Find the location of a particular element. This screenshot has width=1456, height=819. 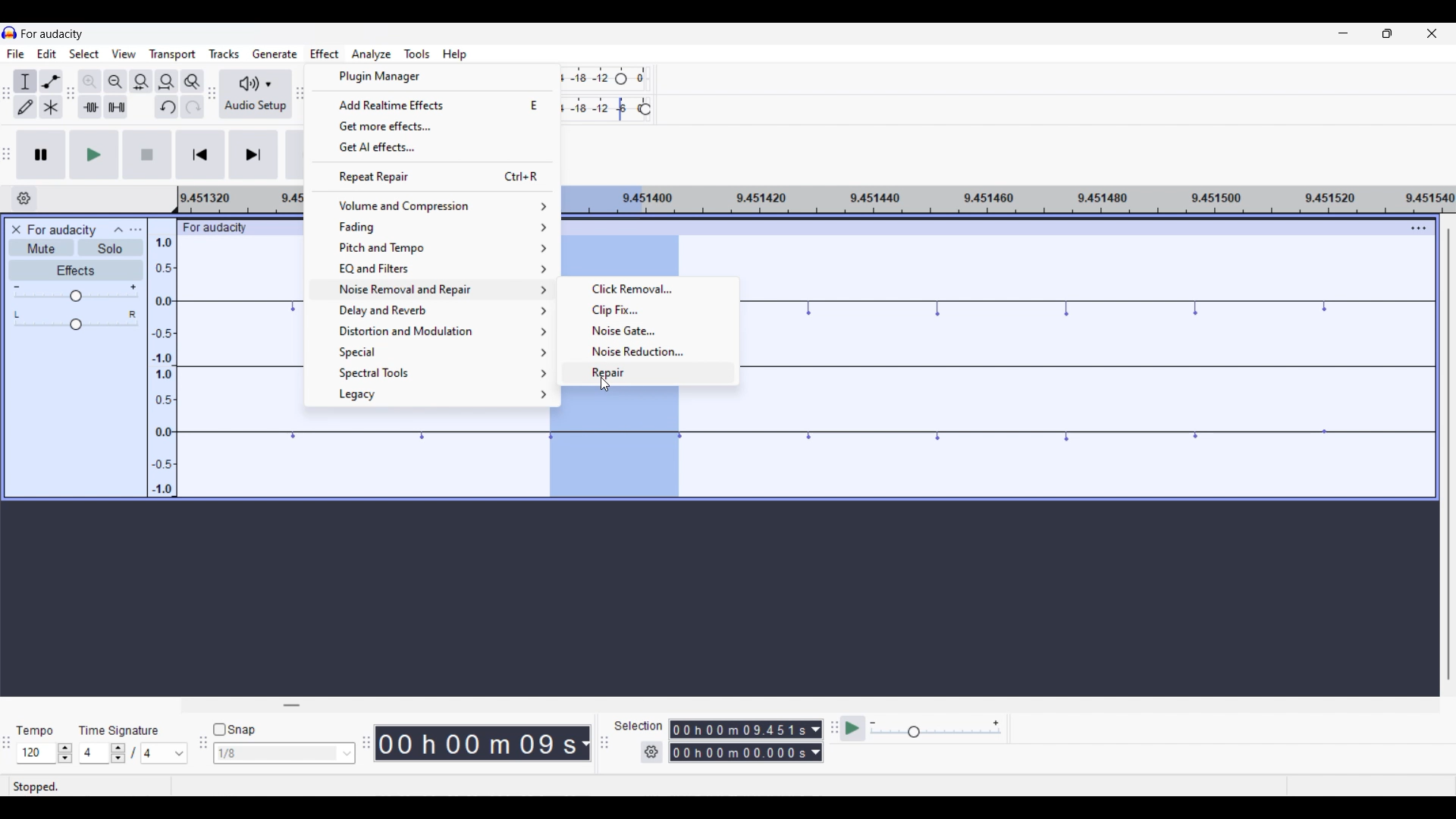

Horizontal slide bar is located at coordinates (291, 705).